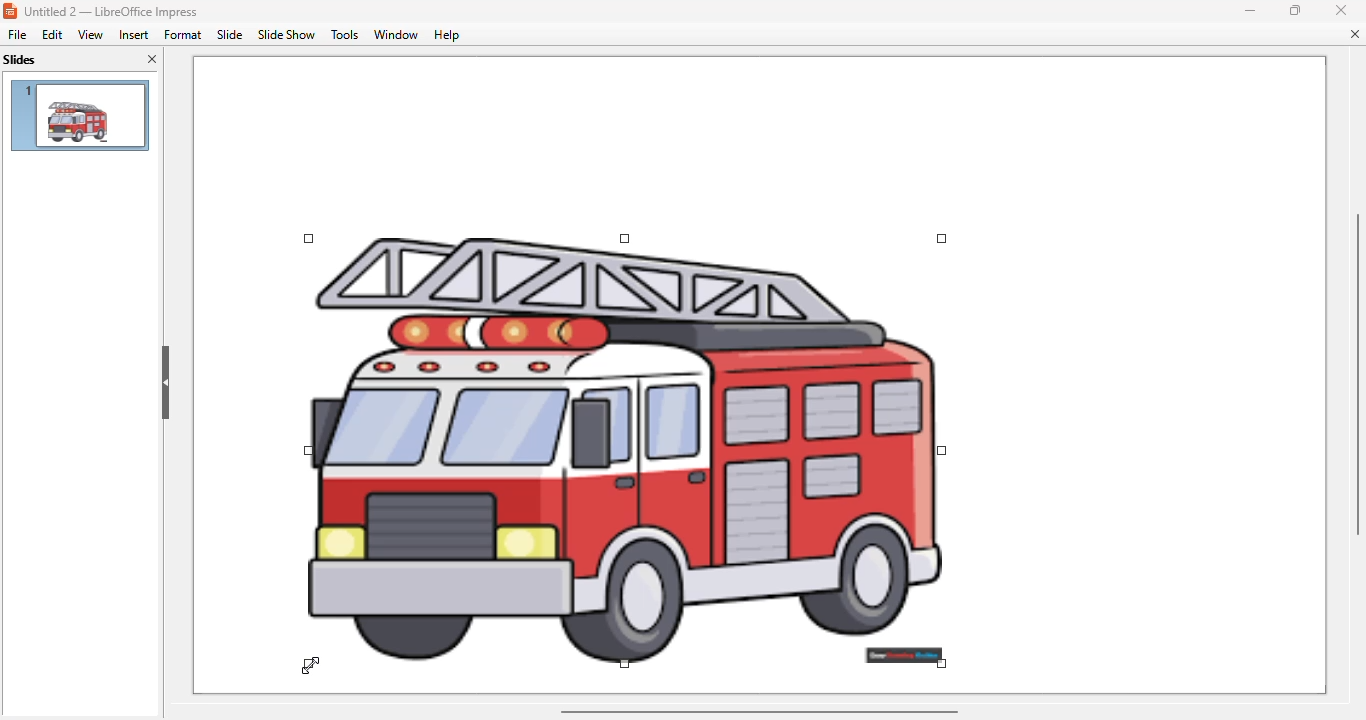 The image size is (1366, 720). Describe the element at coordinates (52, 35) in the screenshot. I see `edit` at that location.